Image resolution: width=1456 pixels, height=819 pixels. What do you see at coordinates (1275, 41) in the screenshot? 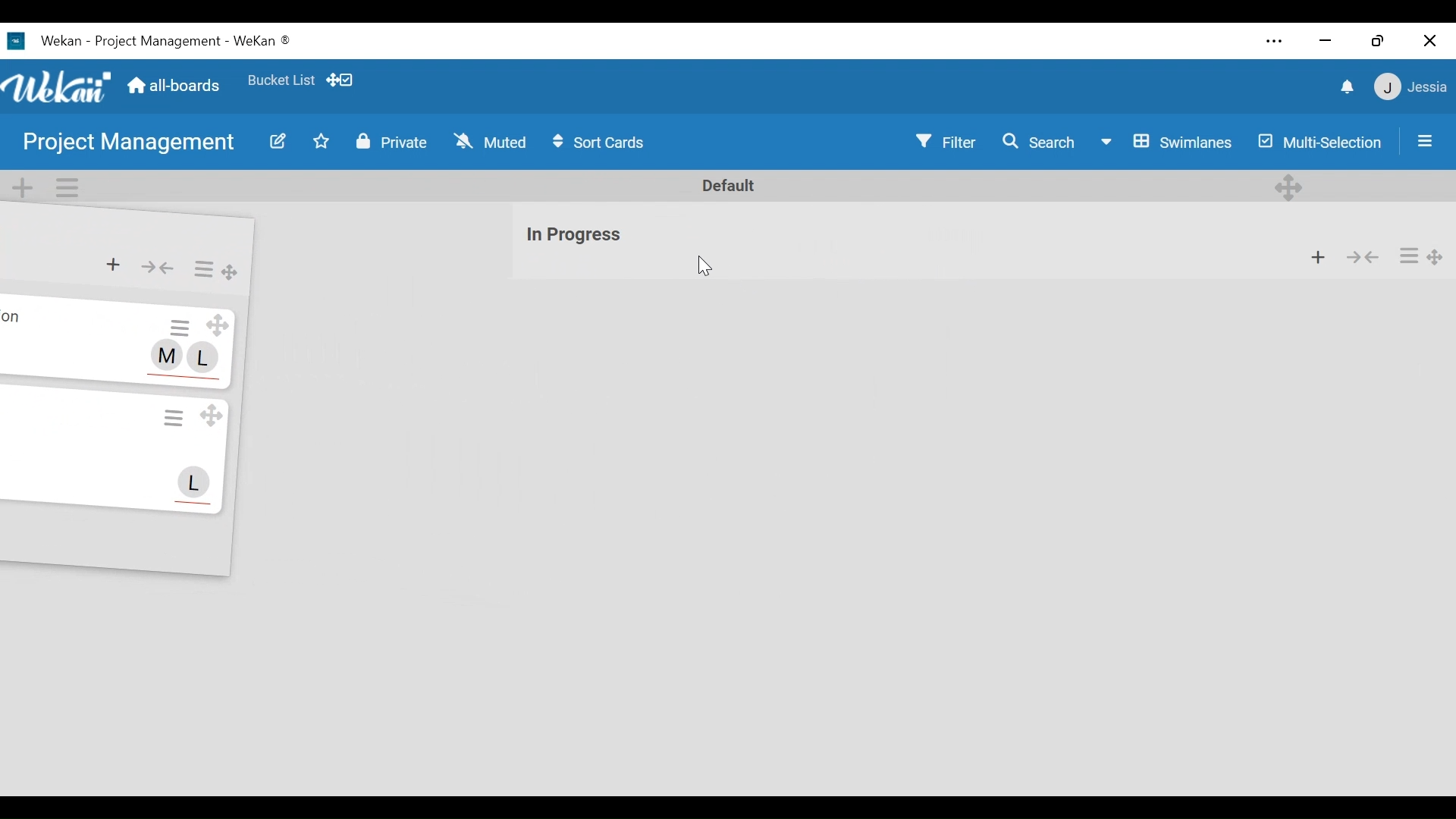
I see `settings and more` at bounding box center [1275, 41].